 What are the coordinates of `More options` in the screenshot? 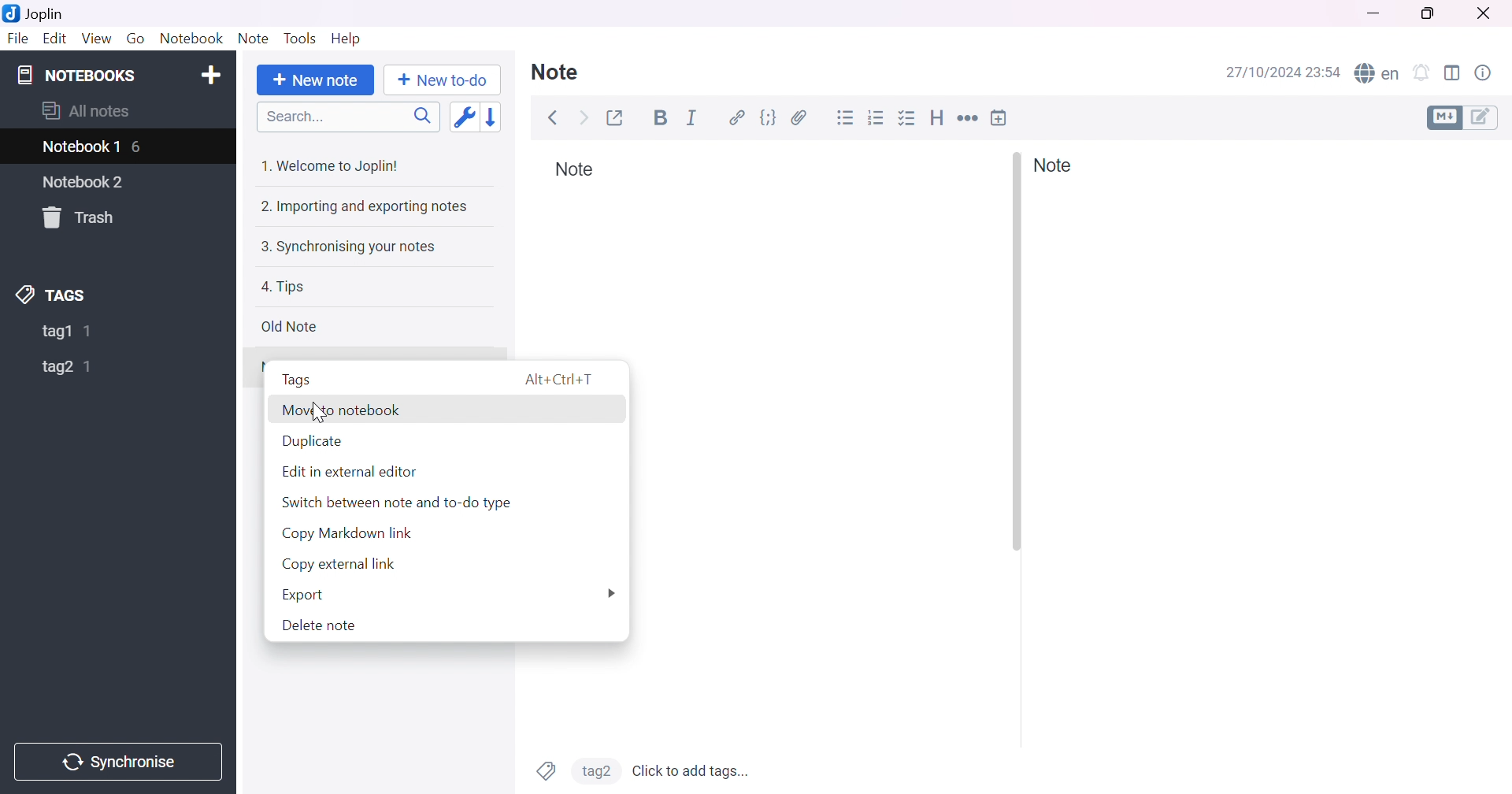 It's located at (609, 593).